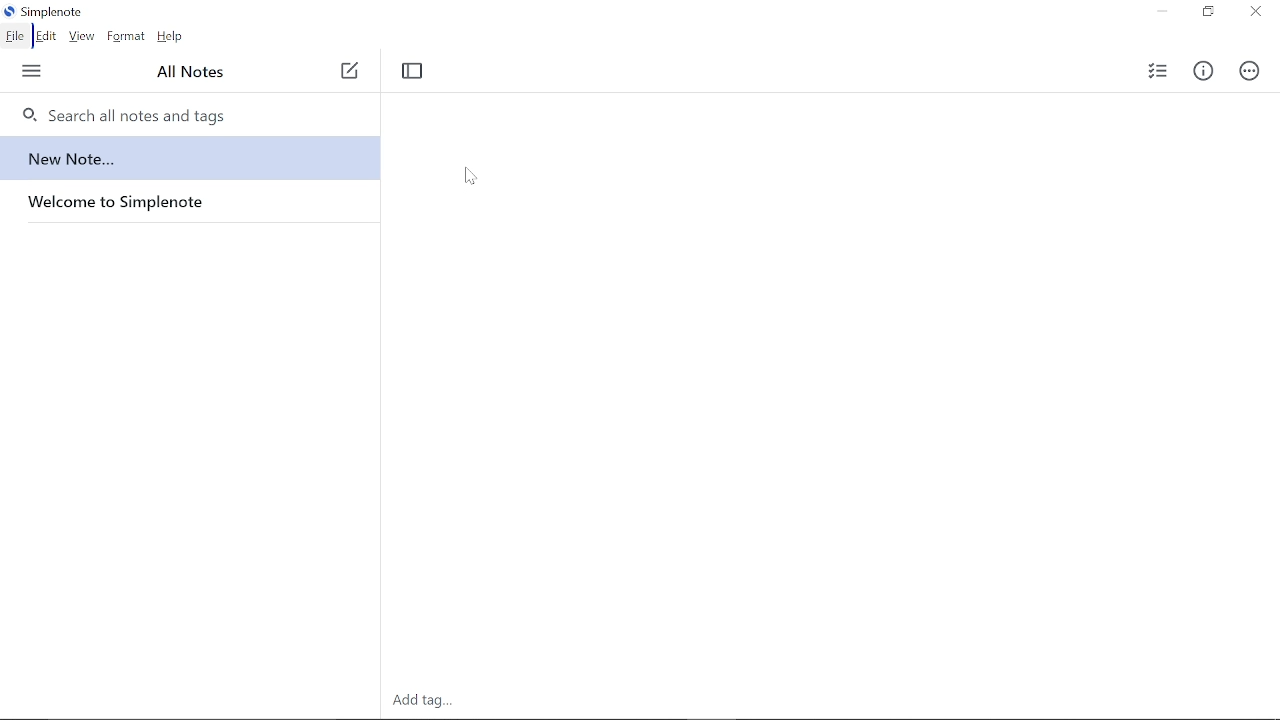 This screenshot has width=1280, height=720. What do you see at coordinates (469, 174) in the screenshot?
I see `Cursor` at bounding box center [469, 174].